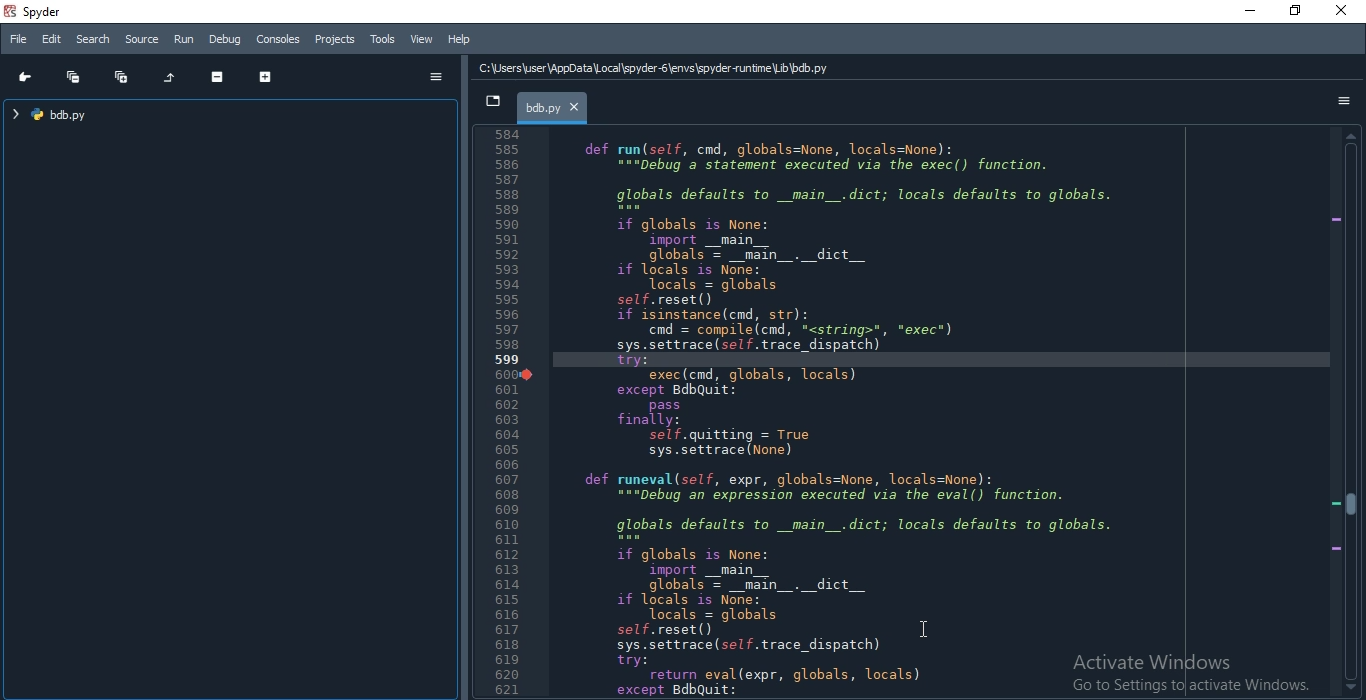 Image resolution: width=1366 pixels, height=700 pixels. What do you see at coordinates (72, 77) in the screenshot?
I see `Collapse all` at bounding box center [72, 77].